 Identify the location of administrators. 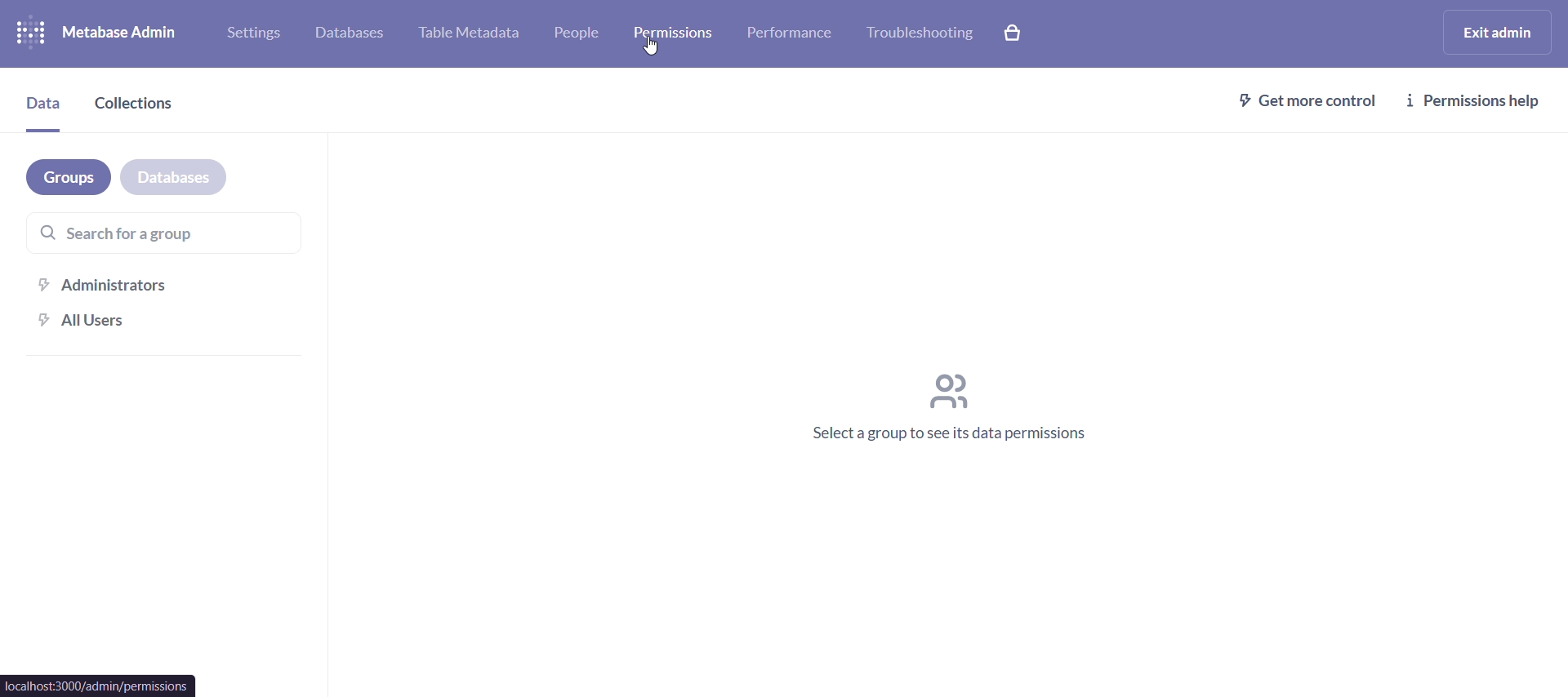
(172, 286).